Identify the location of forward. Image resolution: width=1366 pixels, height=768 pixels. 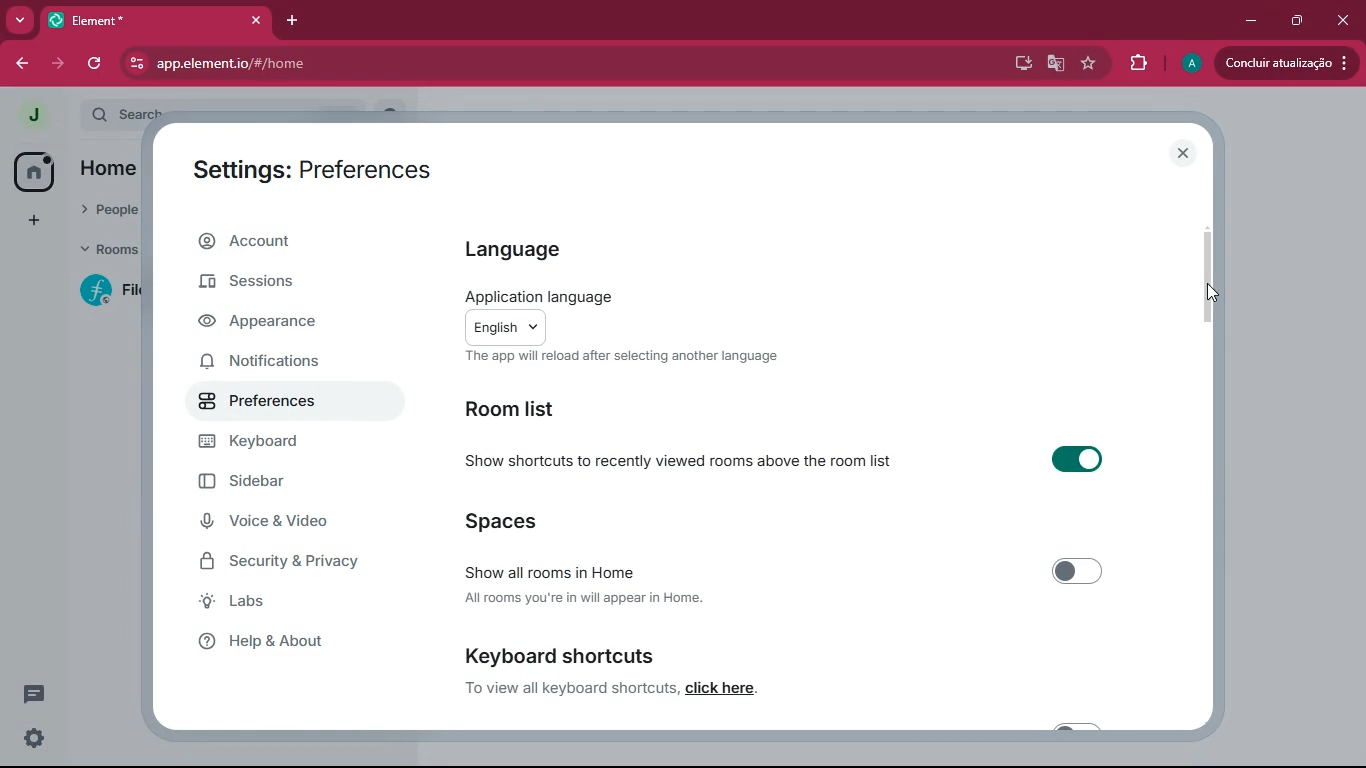
(58, 66).